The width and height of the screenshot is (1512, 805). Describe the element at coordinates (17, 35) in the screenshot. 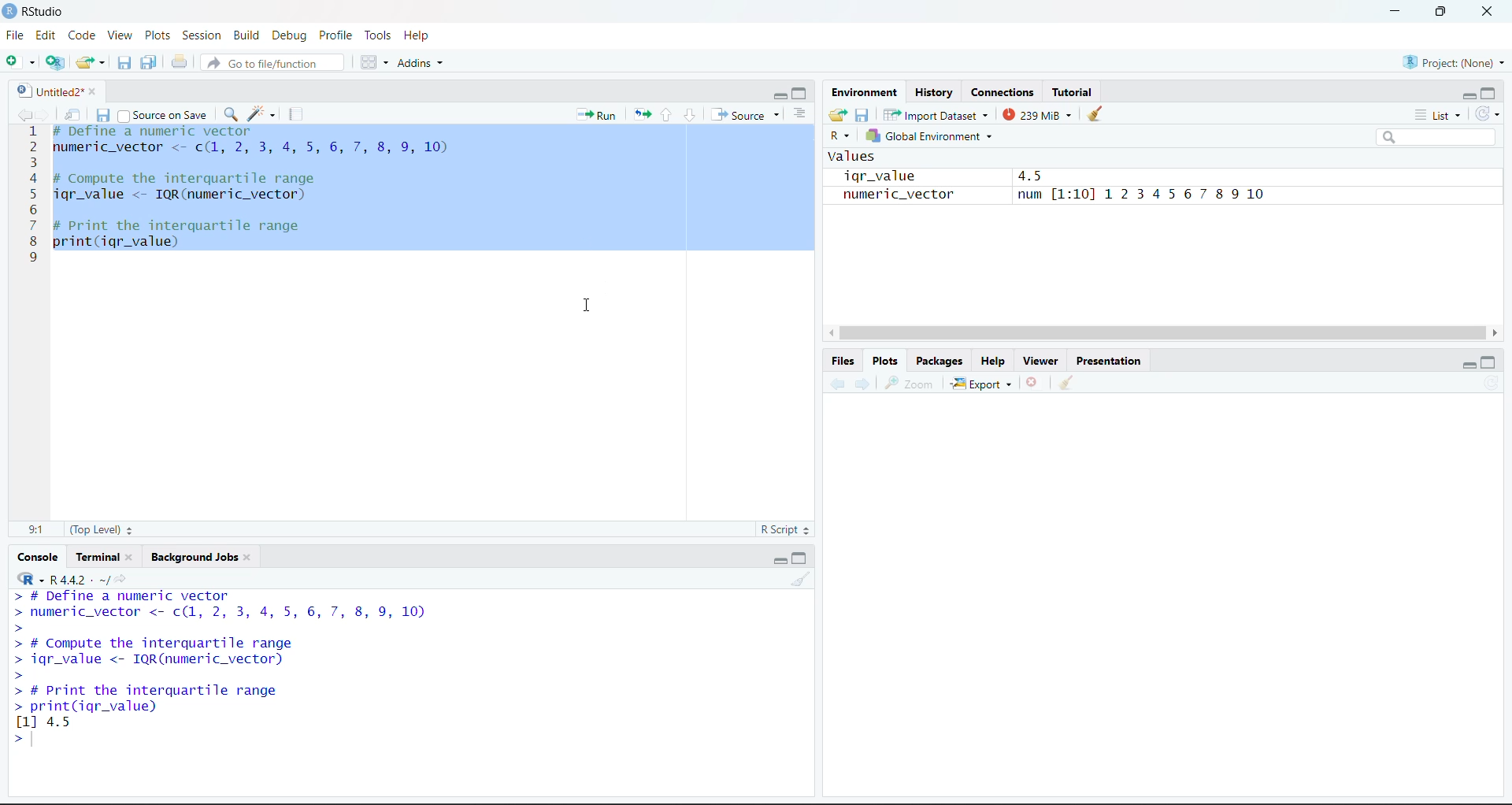

I see `File` at that location.